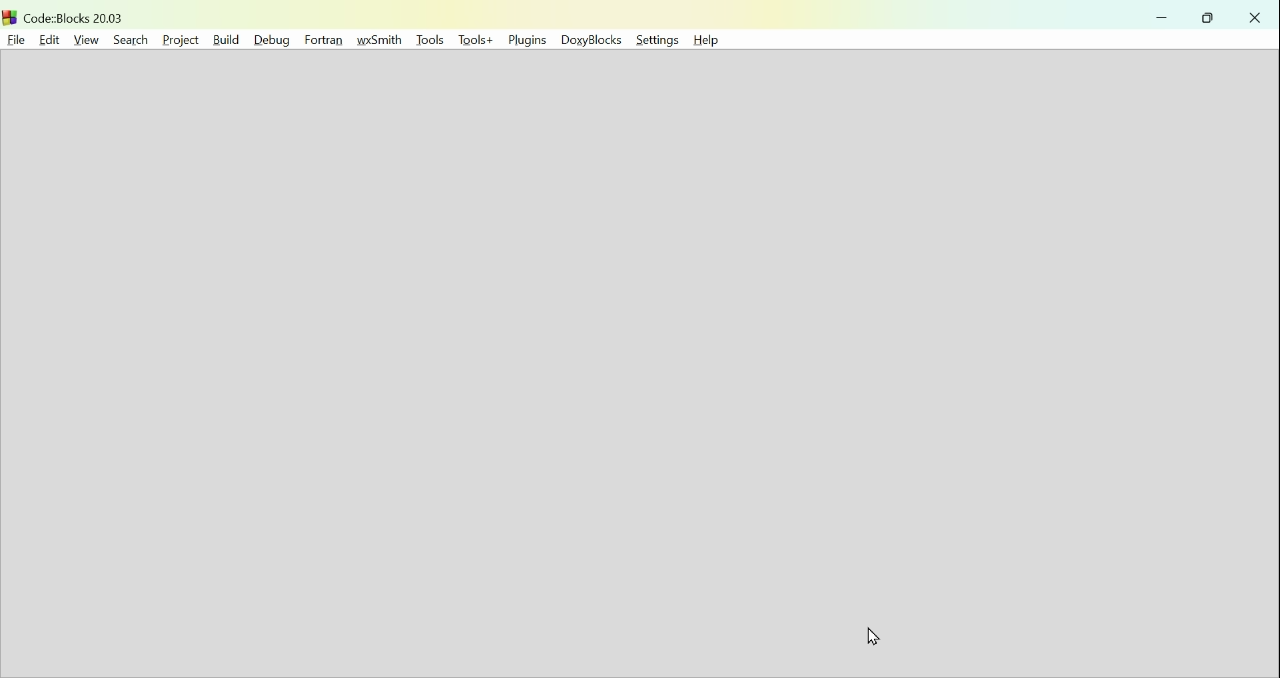 This screenshot has height=678, width=1280. Describe the element at coordinates (657, 41) in the screenshot. I see `Settings` at that location.